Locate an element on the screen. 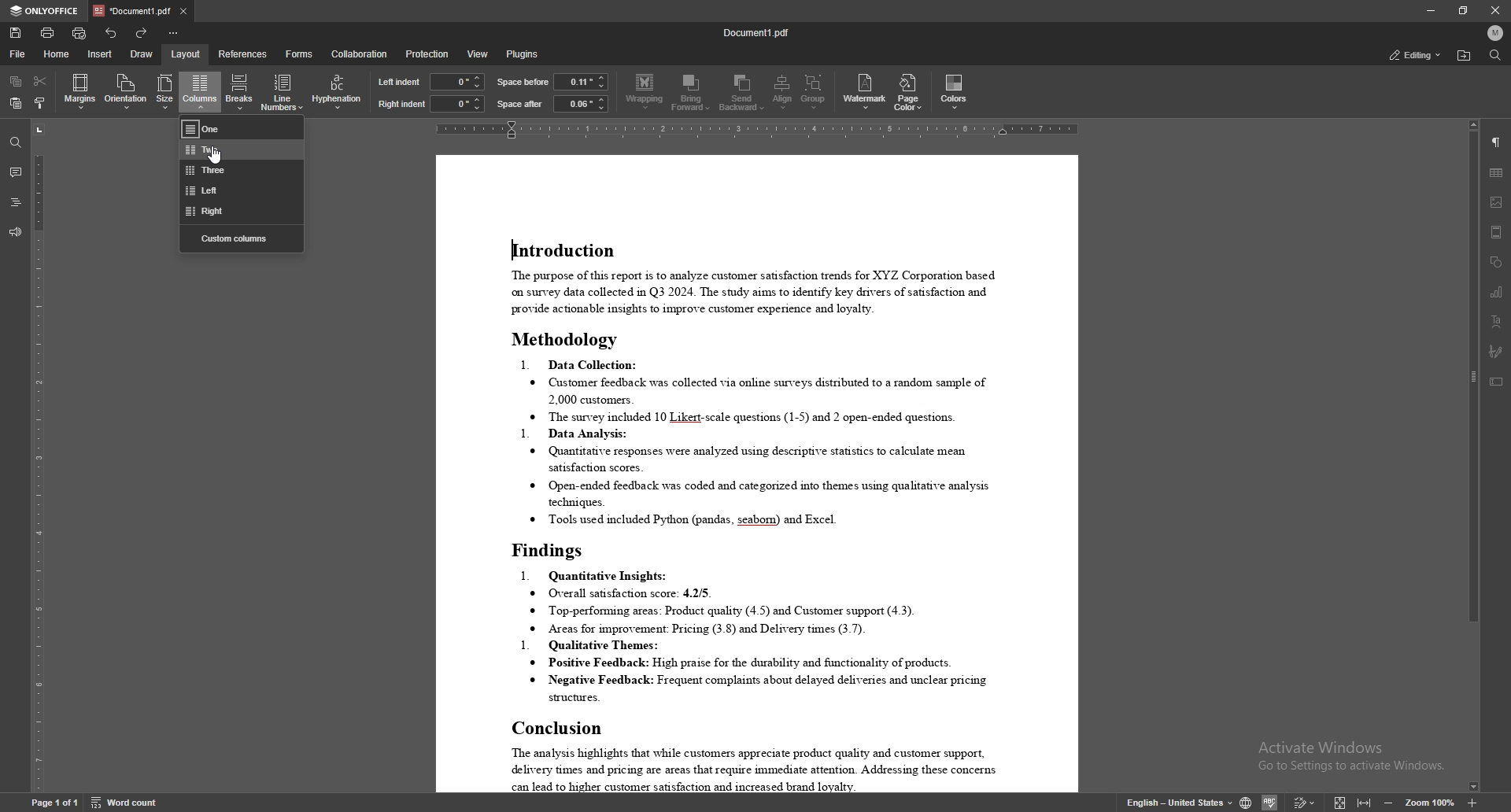 Image resolution: width=1511 pixels, height=812 pixels. signature field is located at coordinates (1496, 351).